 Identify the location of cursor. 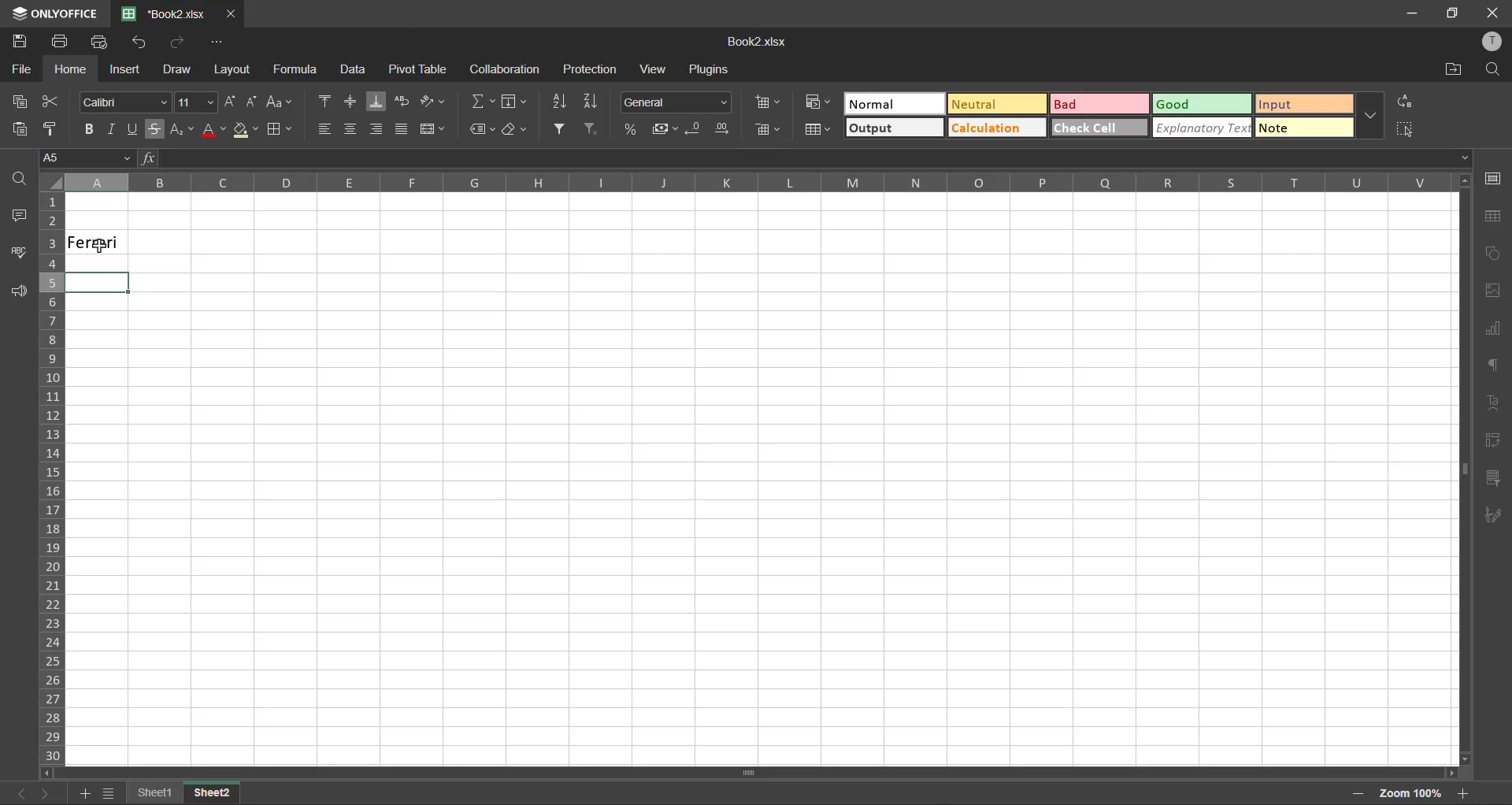
(97, 250).